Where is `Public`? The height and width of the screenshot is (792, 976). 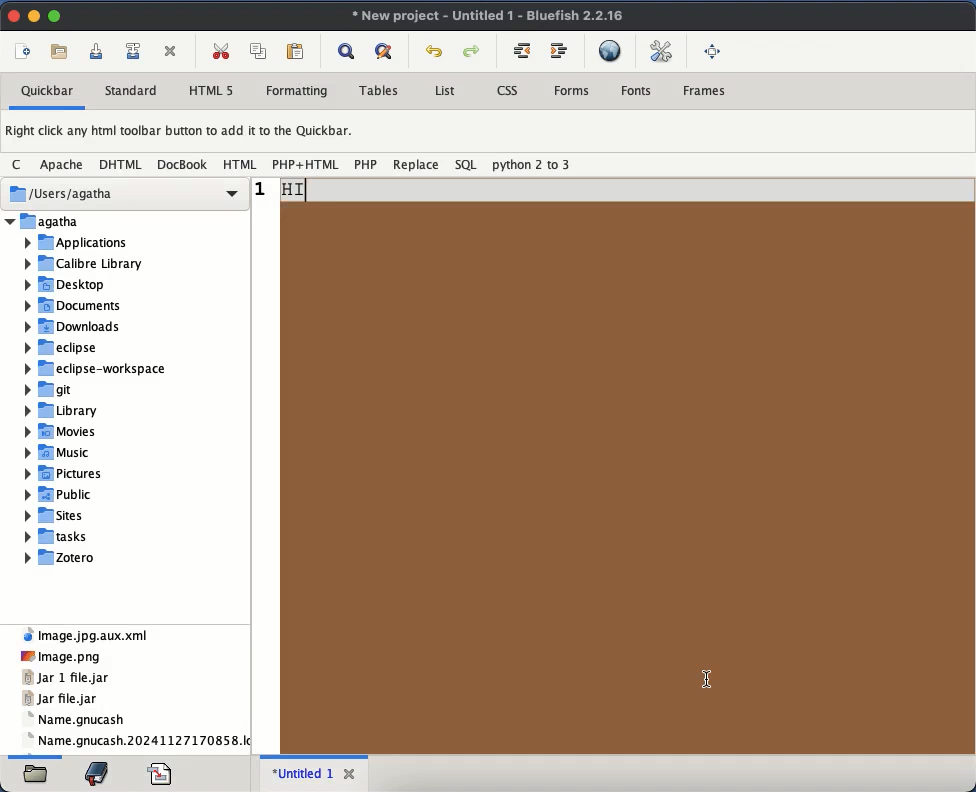
Public is located at coordinates (58, 495).